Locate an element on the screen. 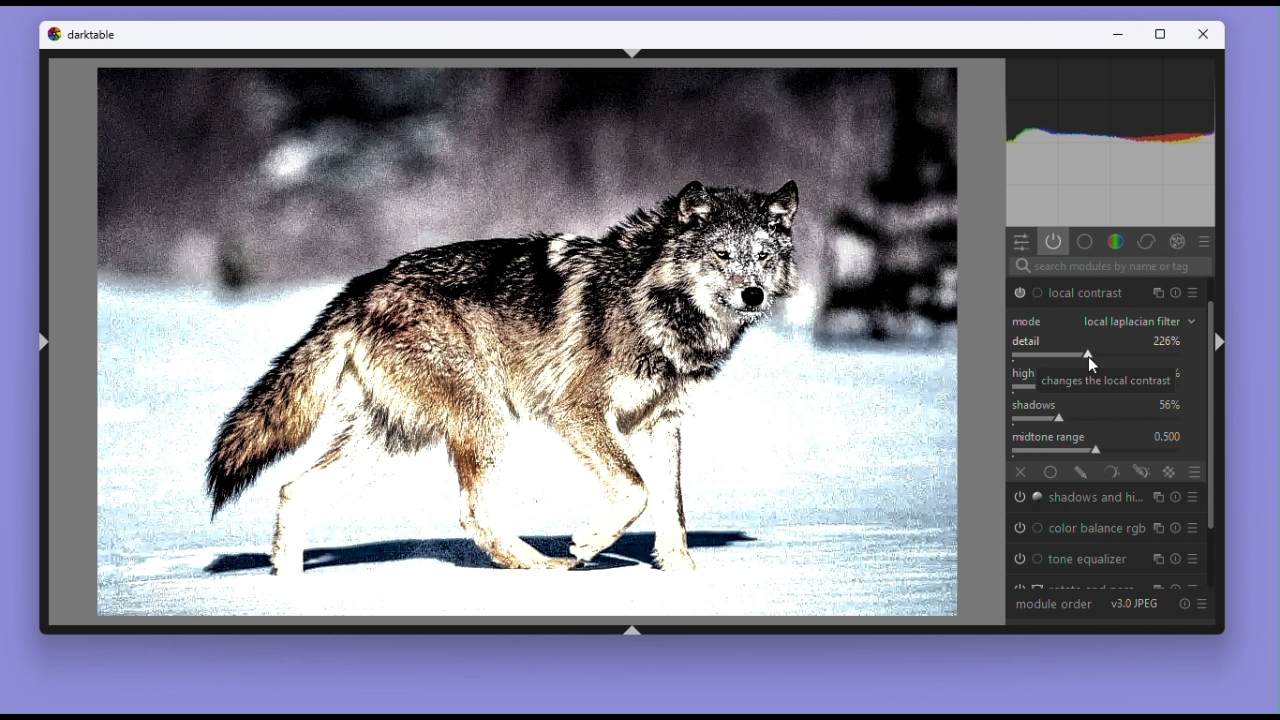  'shadows and highlights' is switched on is located at coordinates (1027, 499).